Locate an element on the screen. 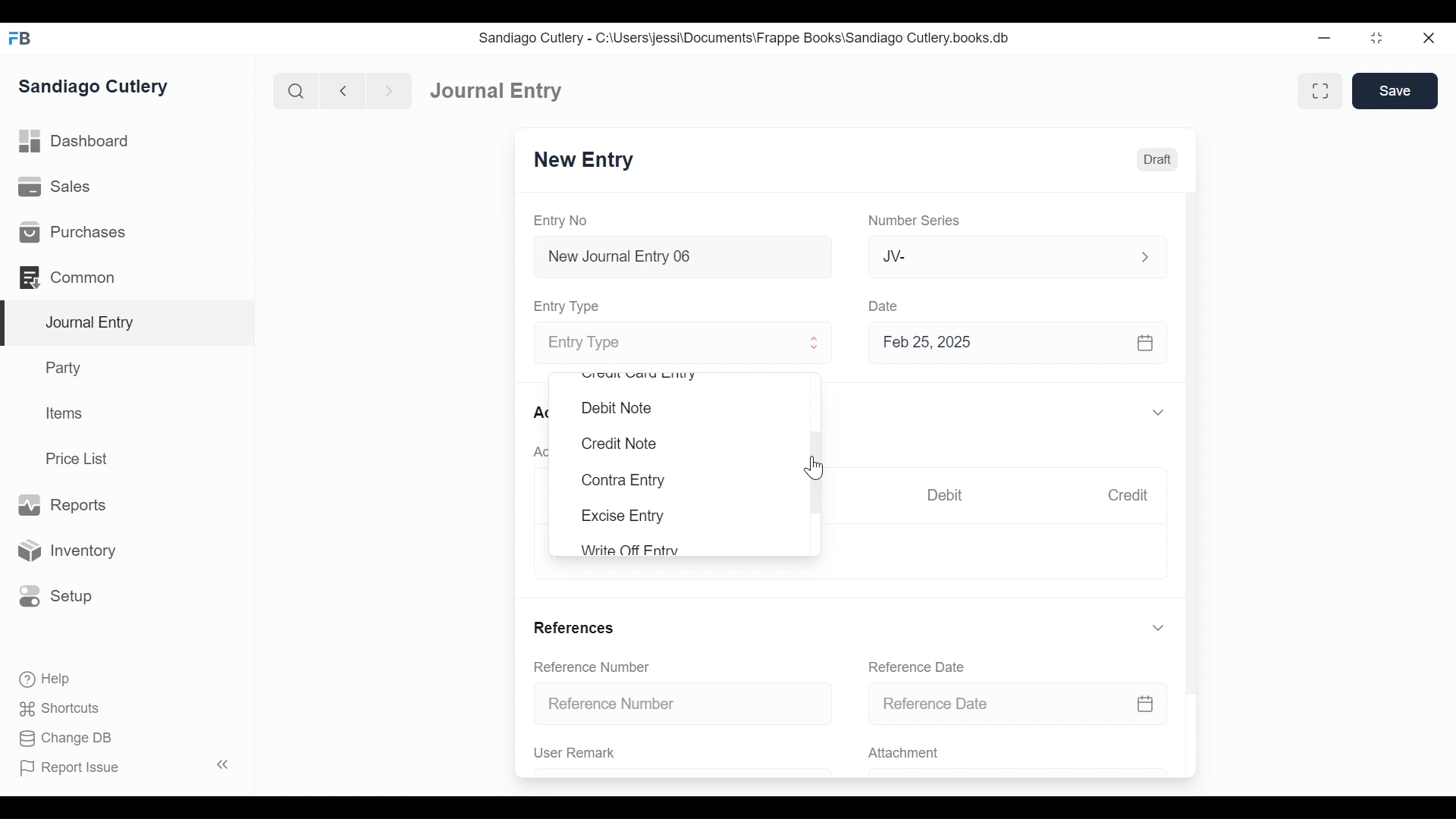  Sandiago Cutlery is located at coordinates (96, 87).